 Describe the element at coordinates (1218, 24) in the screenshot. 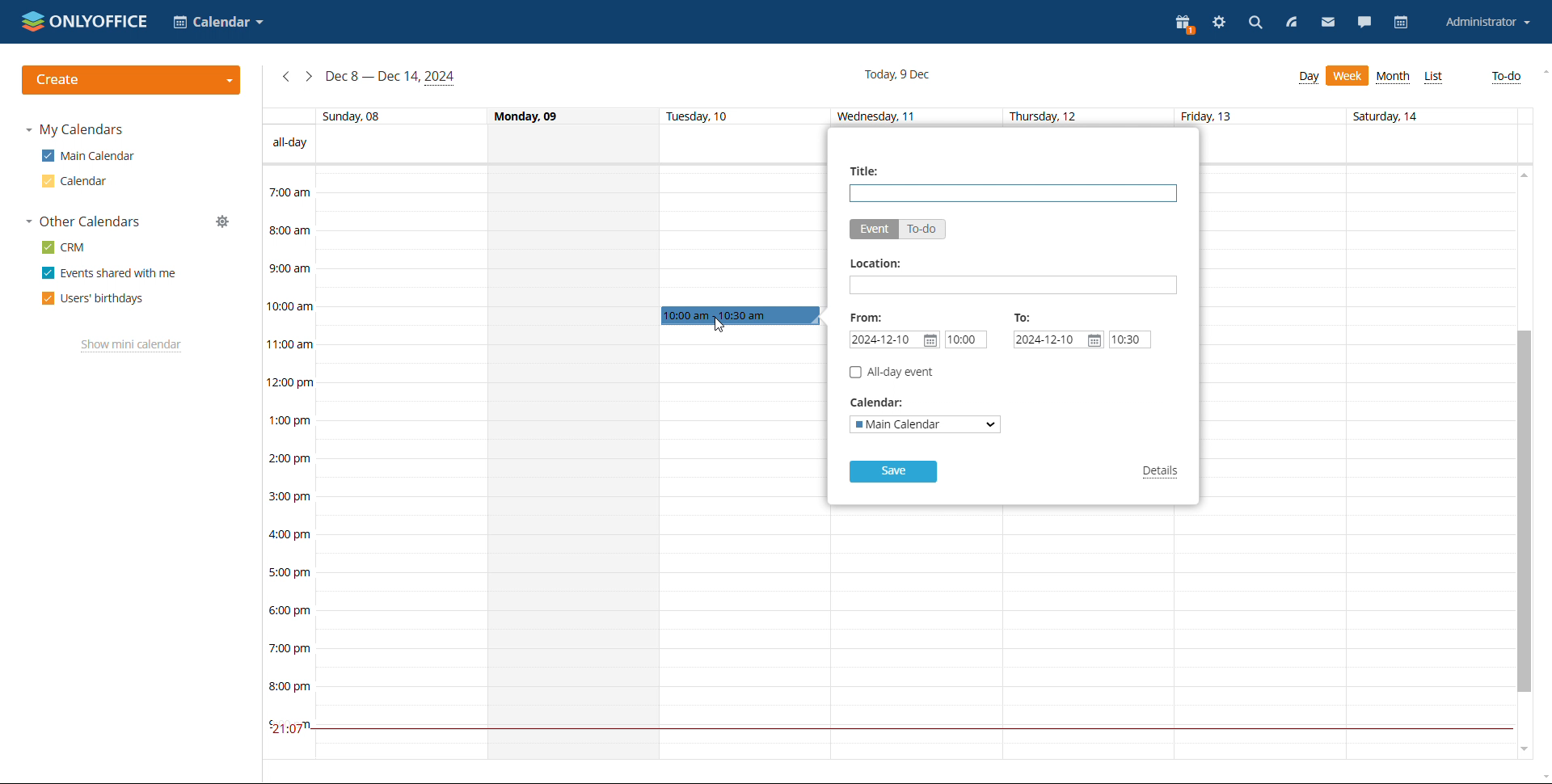

I see `settings` at that location.